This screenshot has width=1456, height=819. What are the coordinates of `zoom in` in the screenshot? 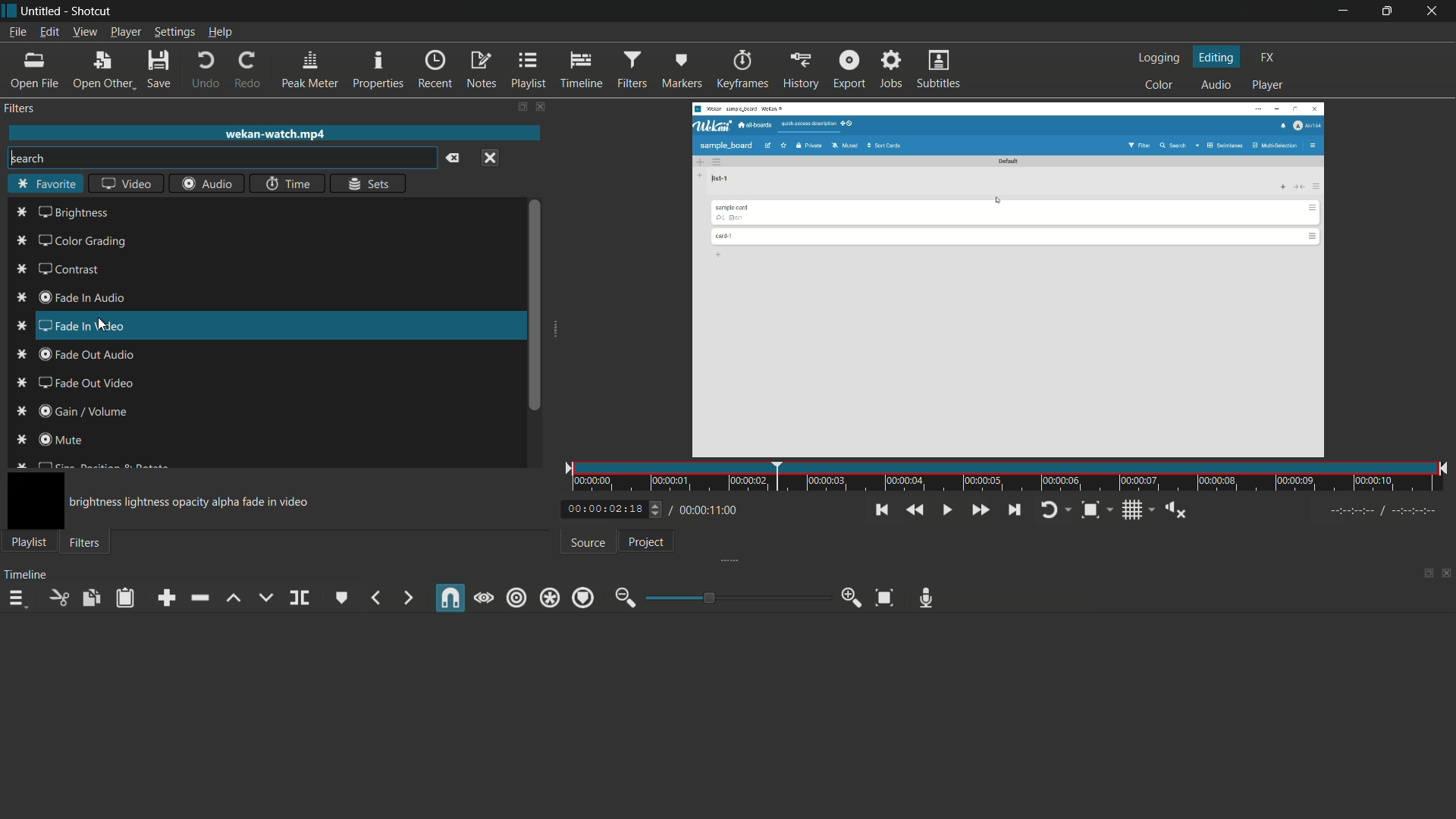 It's located at (852, 598).